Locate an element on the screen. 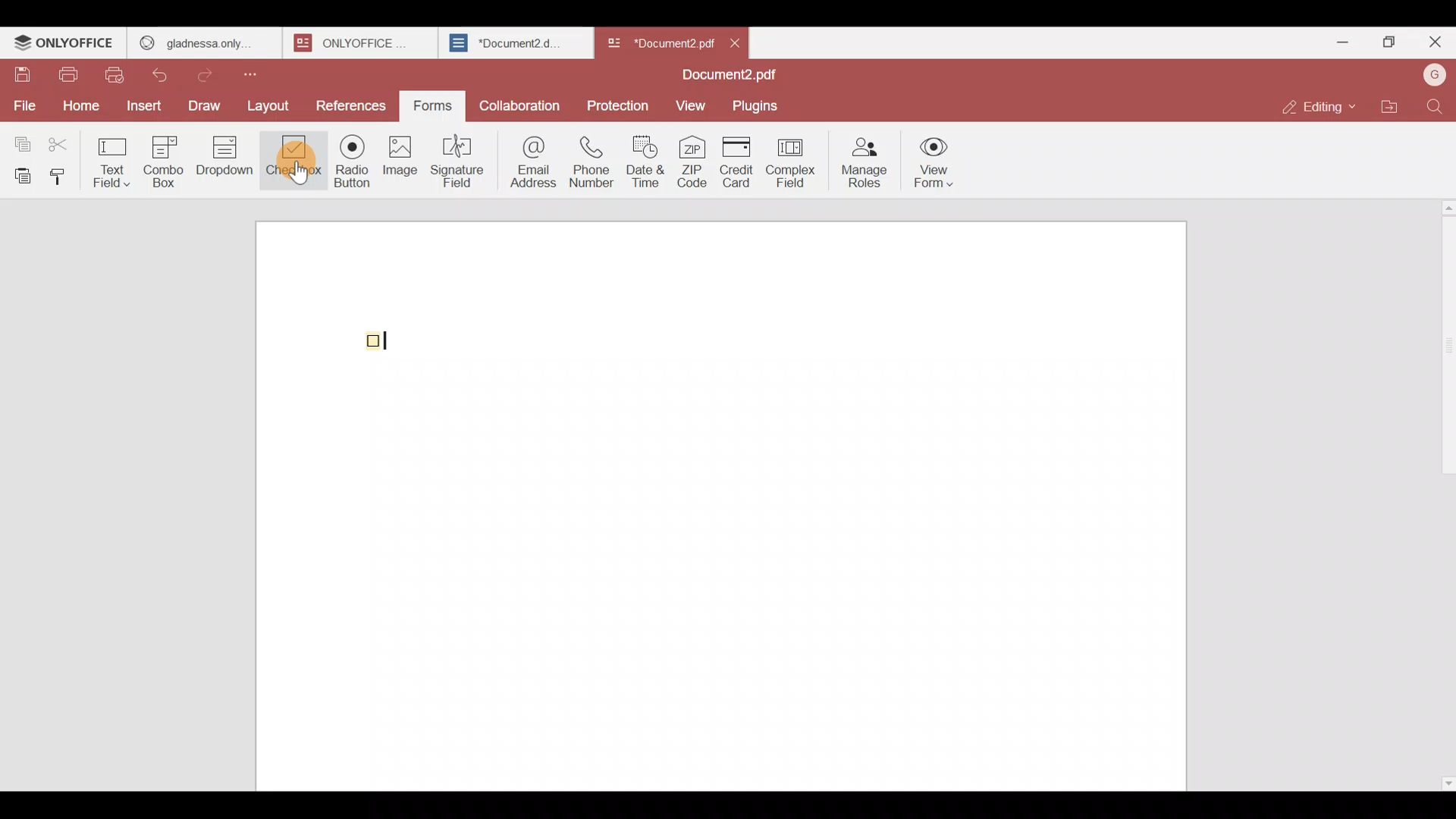 The width and height of the screenshot is (1456, 819). Close is located at coordinates (1434, 45).